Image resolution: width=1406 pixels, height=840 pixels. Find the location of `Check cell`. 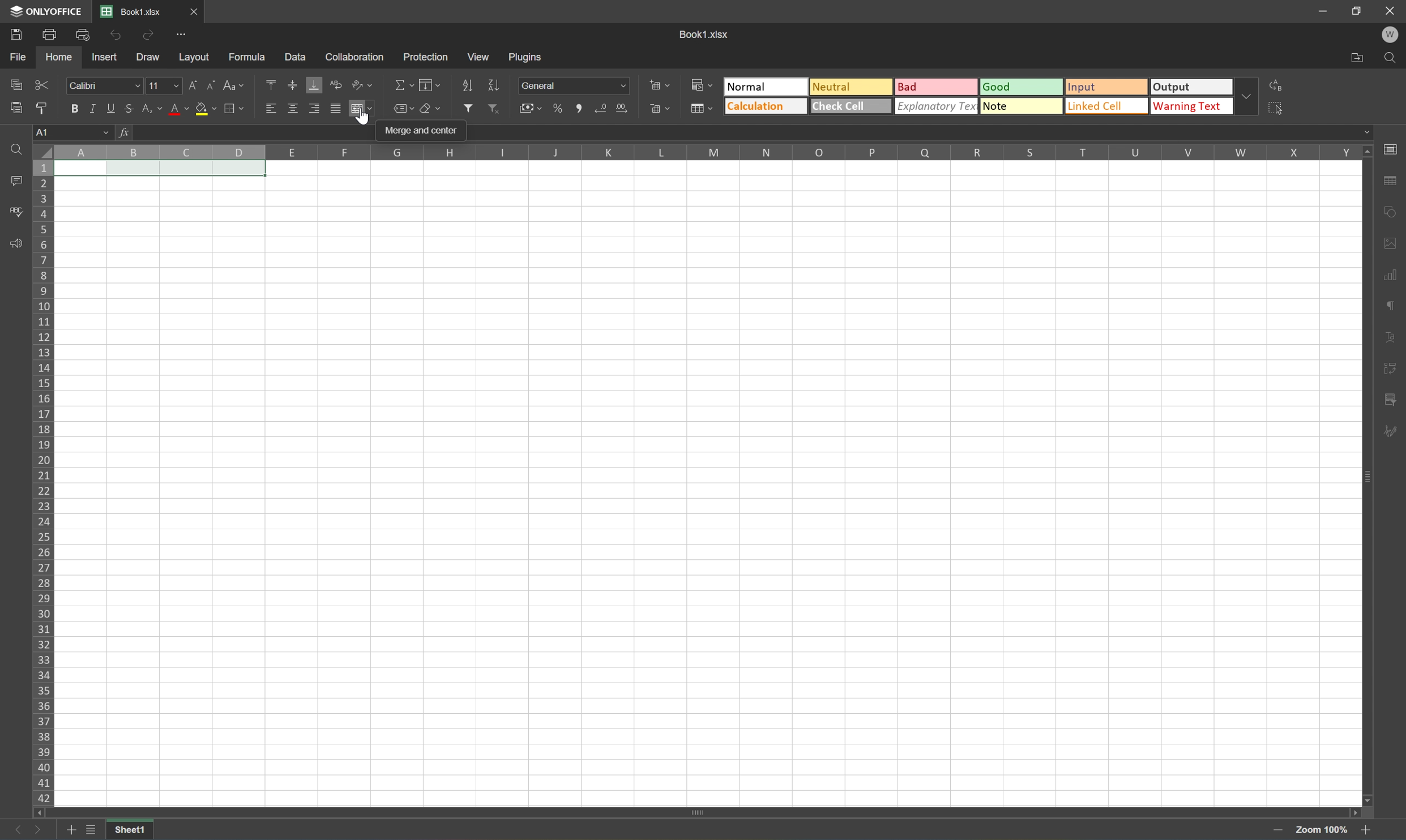

Check cell is located at coordinates (850, 106).